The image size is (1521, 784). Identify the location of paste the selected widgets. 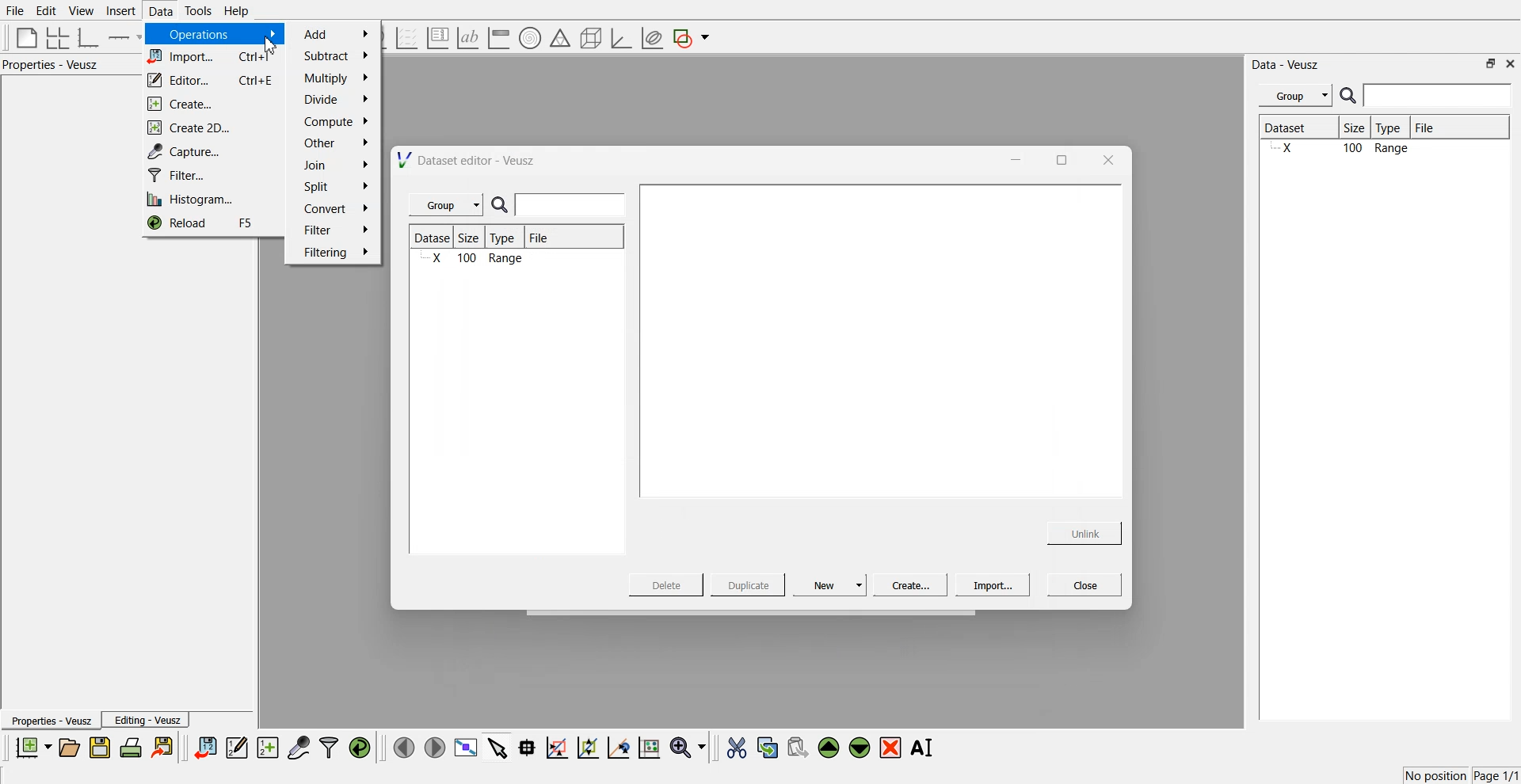
(796, 747).